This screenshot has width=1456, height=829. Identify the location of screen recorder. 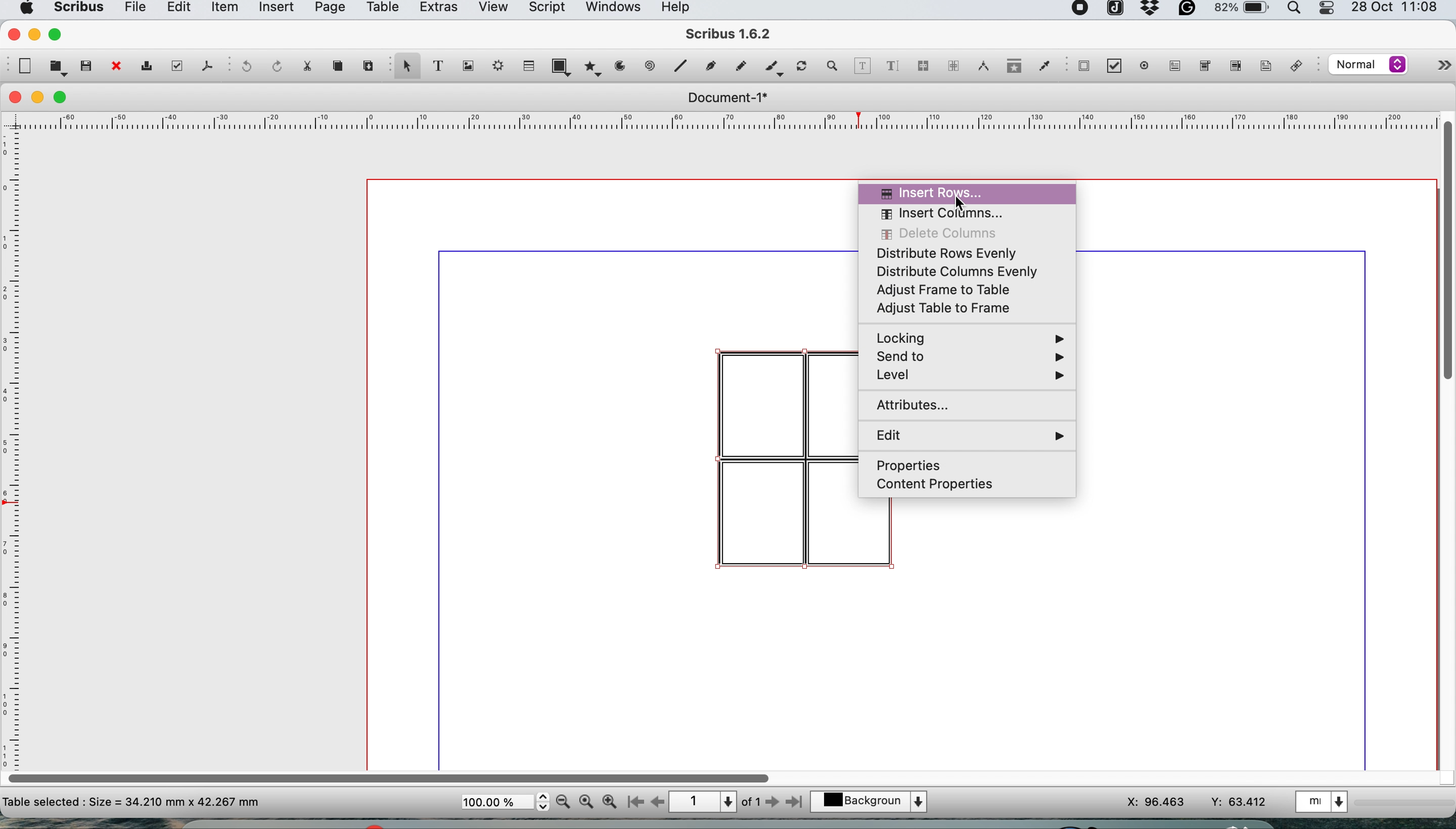
(1081, 10).